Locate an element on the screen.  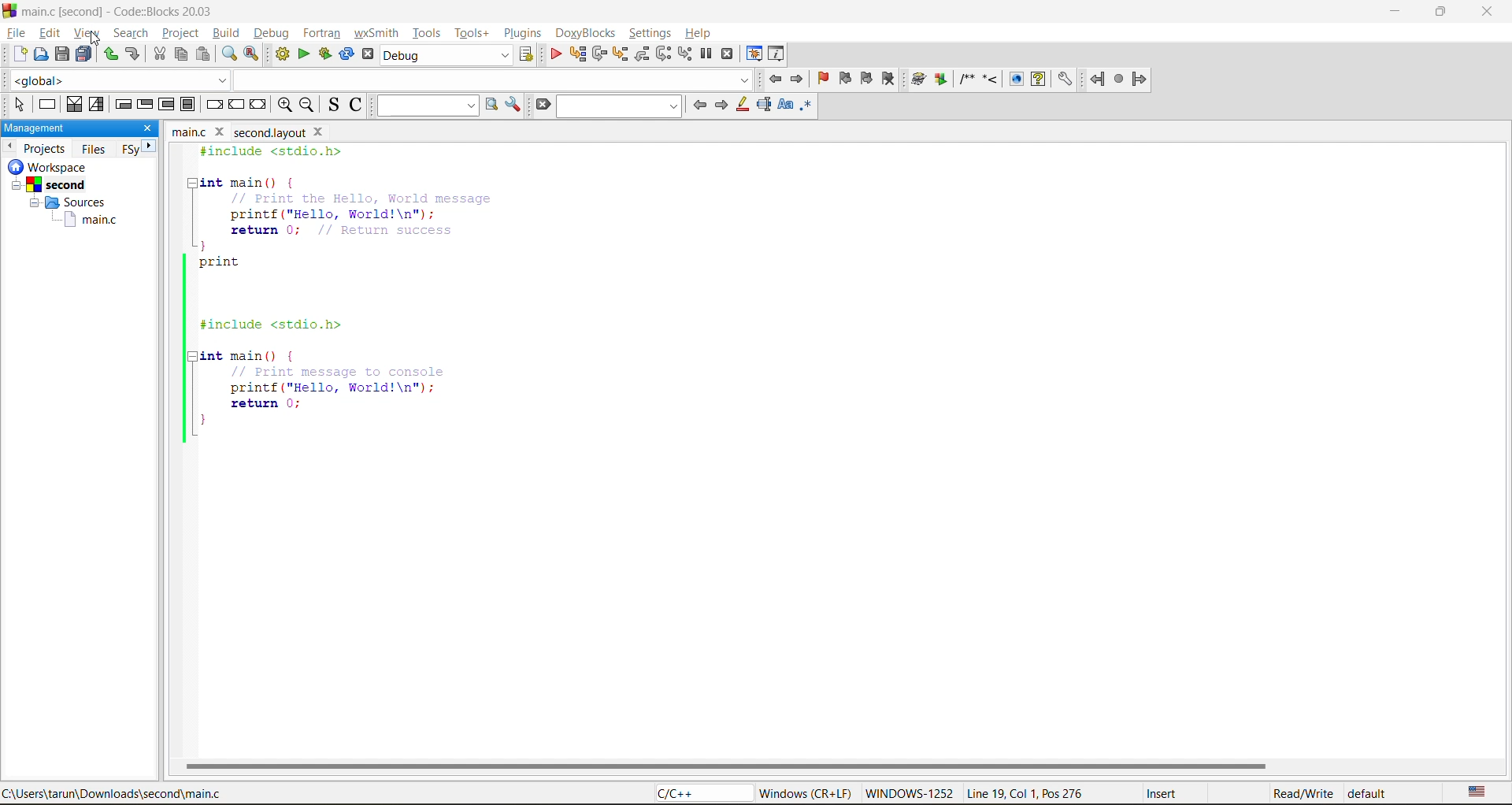
view is located at coordinates (86, 33).